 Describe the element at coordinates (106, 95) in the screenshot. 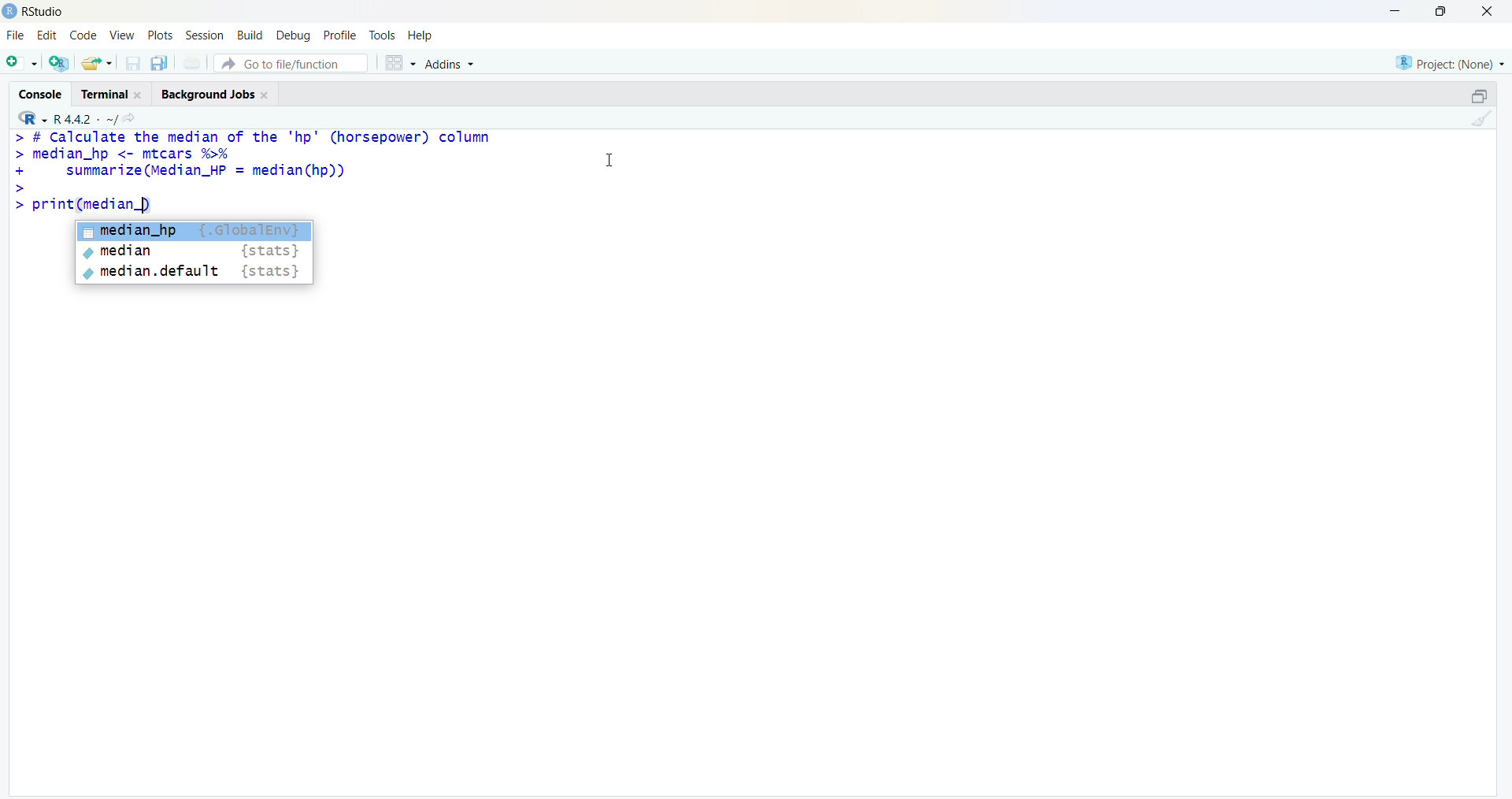

I see `terminal` at that location.